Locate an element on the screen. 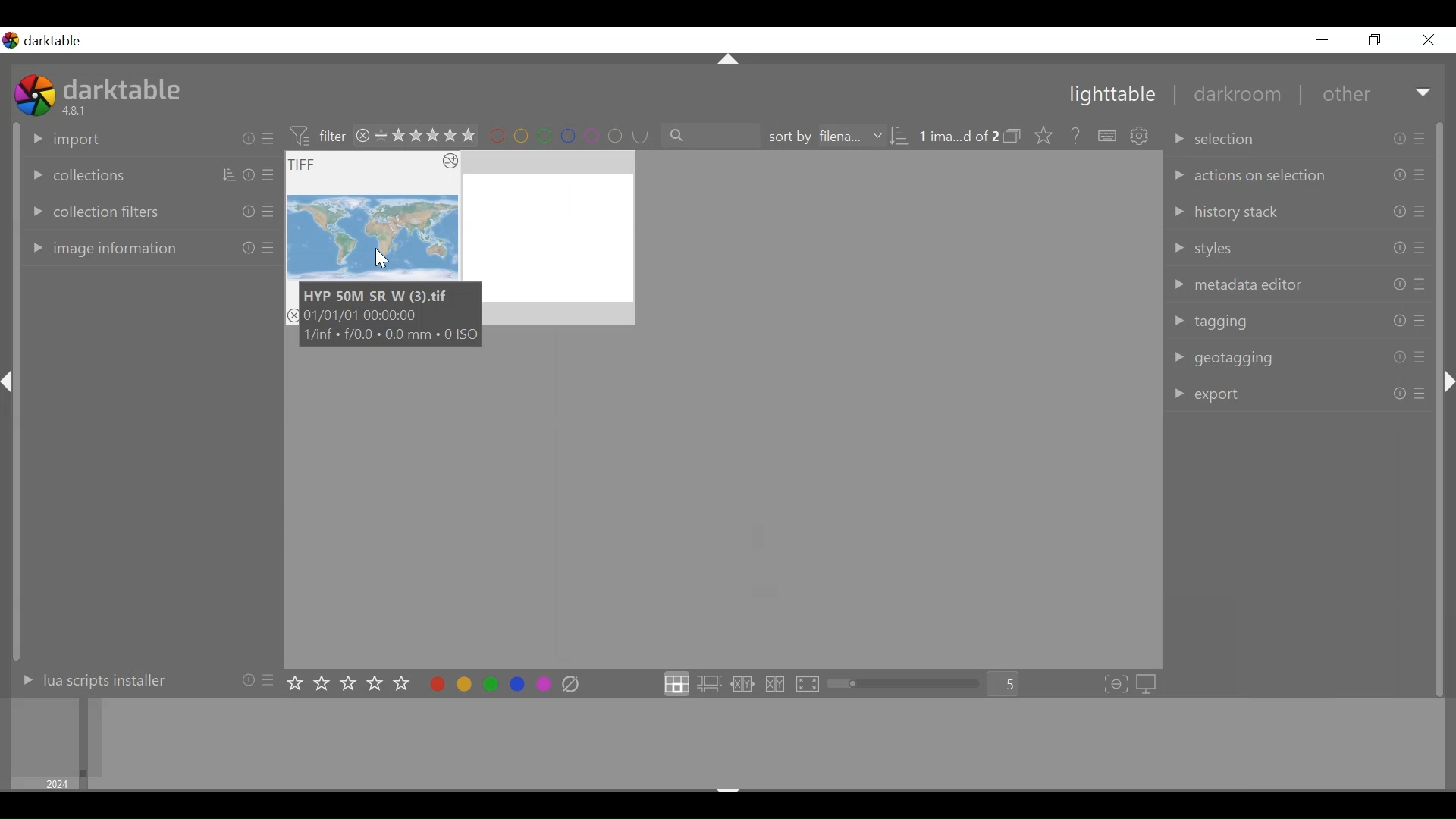 This screenshot has height=819, width=1456. 2024 is located at coordinates (58, 784).